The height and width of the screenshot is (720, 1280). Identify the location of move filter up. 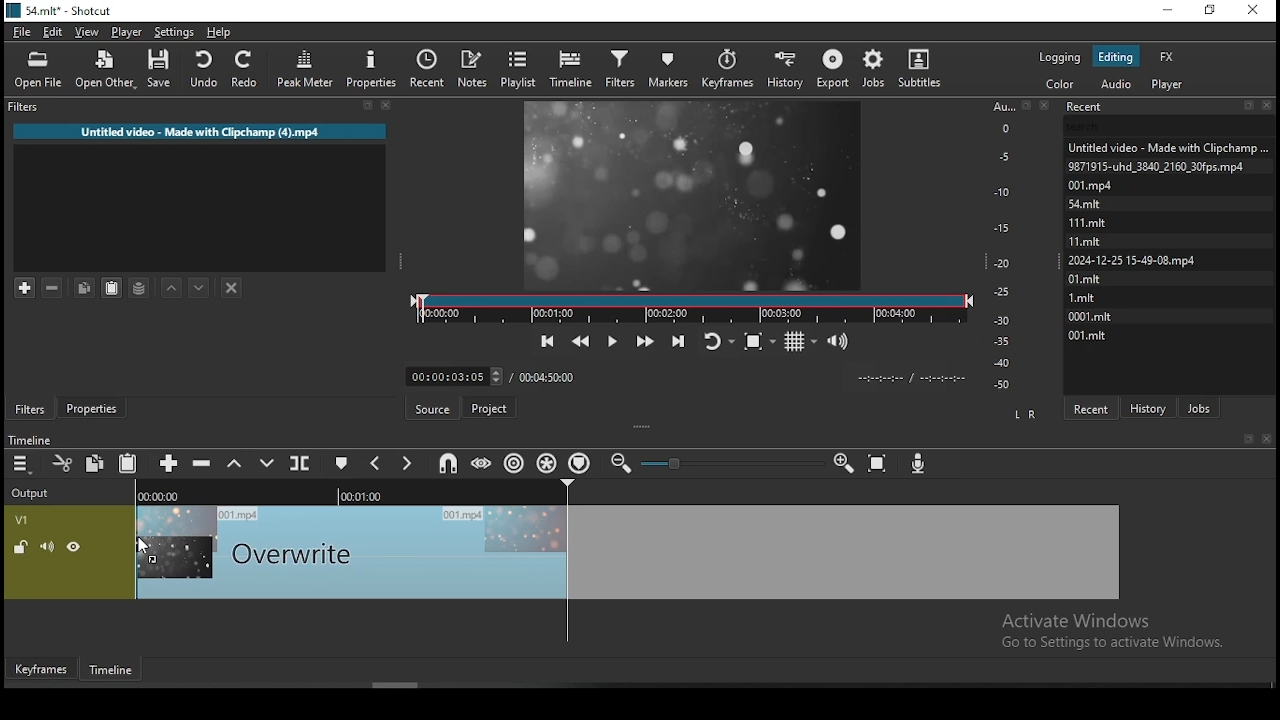
(167, 284).